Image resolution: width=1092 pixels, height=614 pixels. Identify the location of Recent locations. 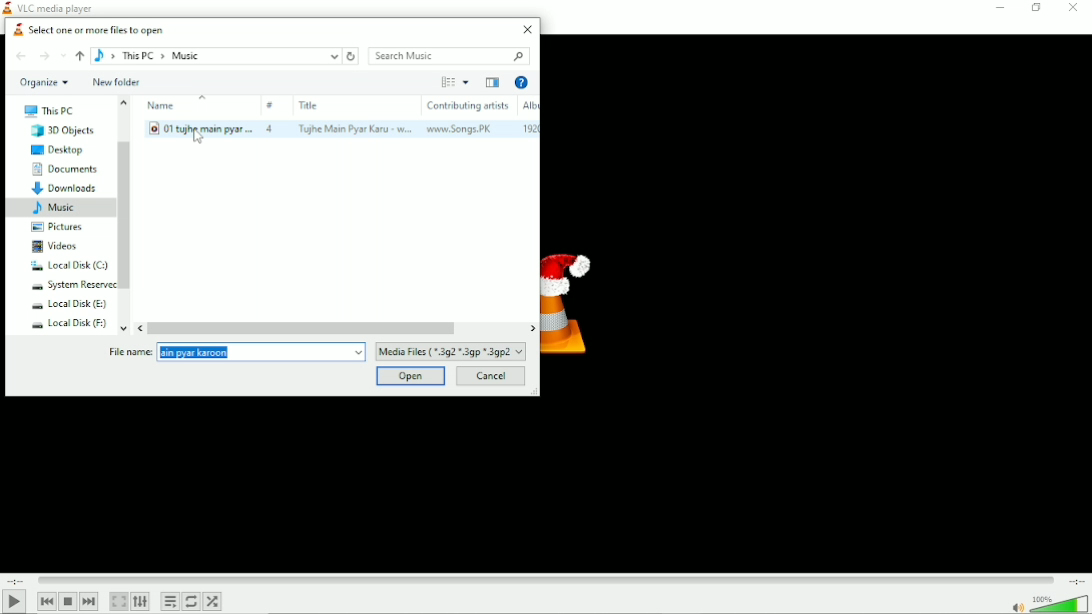
(62, 56).